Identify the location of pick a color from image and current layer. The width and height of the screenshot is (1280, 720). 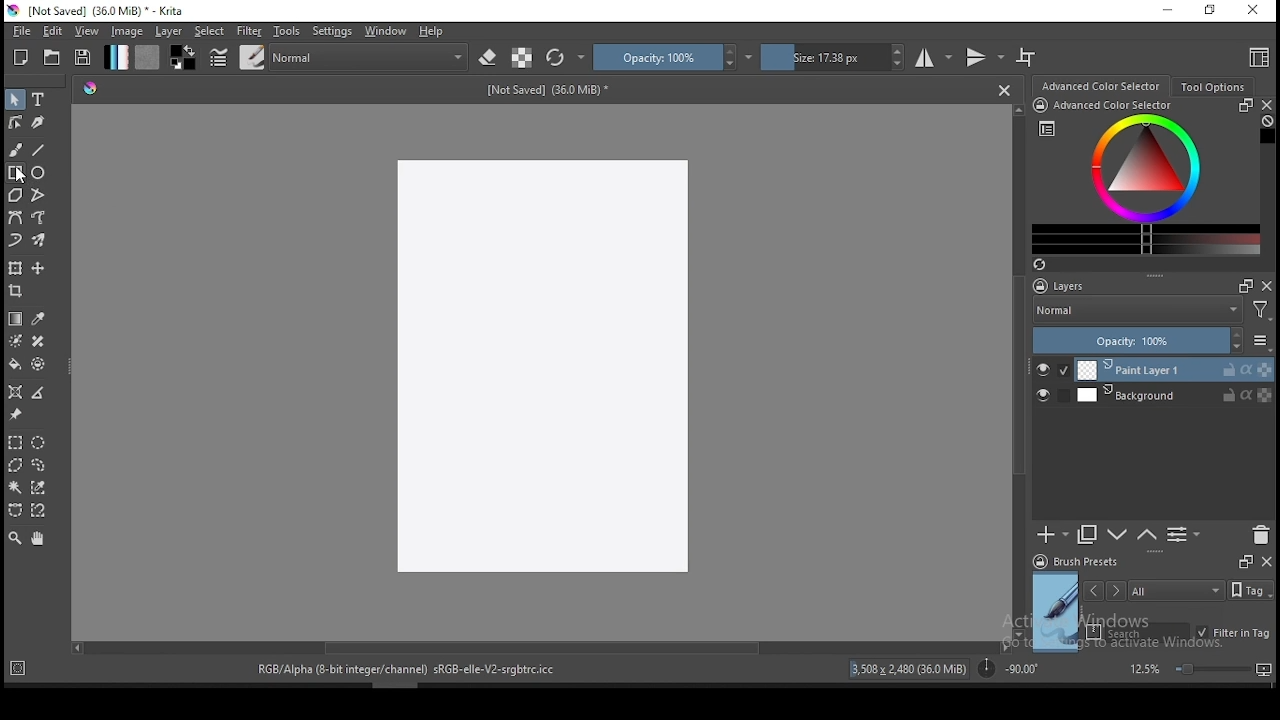
(39, 319).